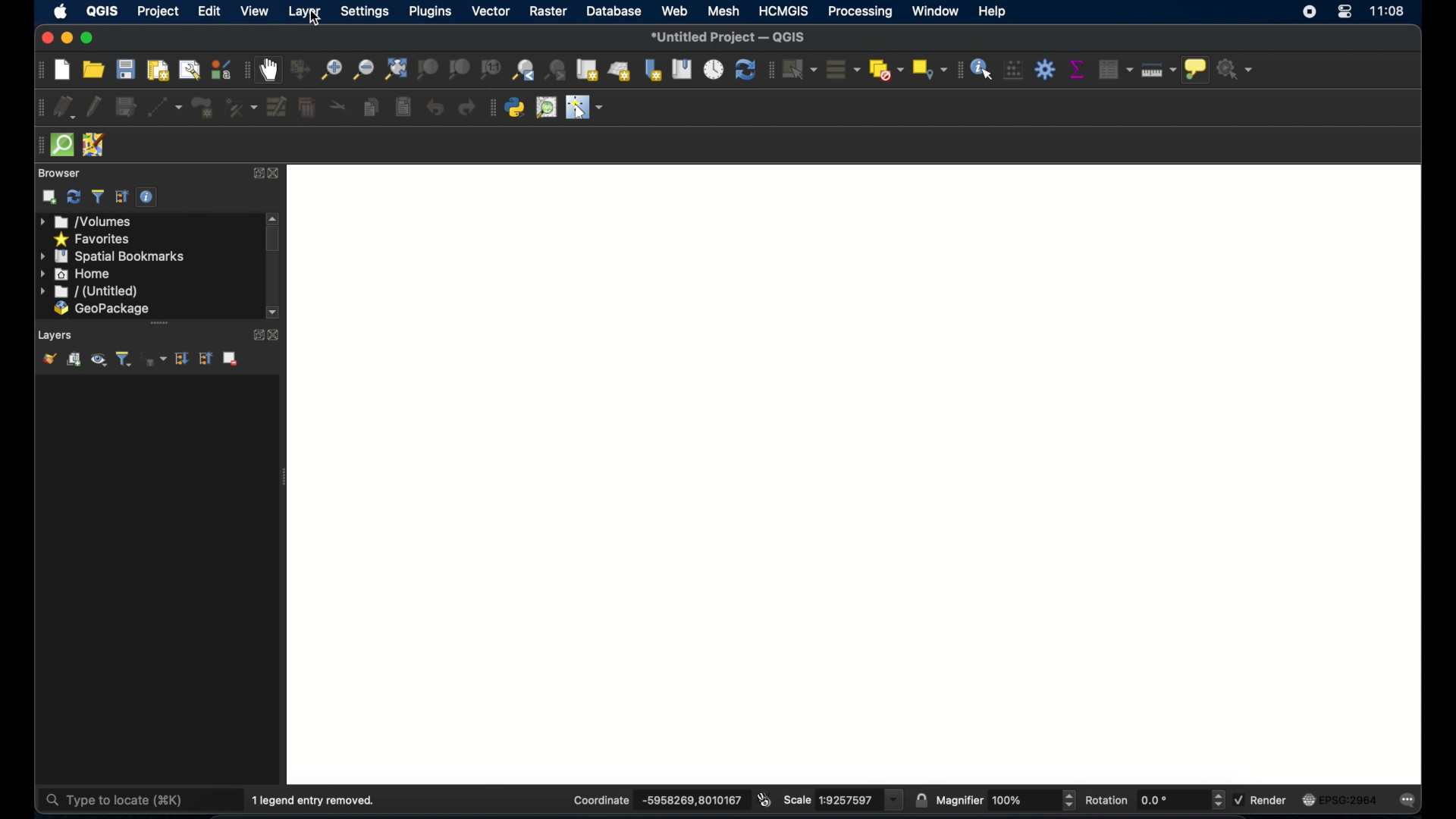 The height and width of the screenshot is (819, 1456). I want to click on pan map, so click(271, 71).